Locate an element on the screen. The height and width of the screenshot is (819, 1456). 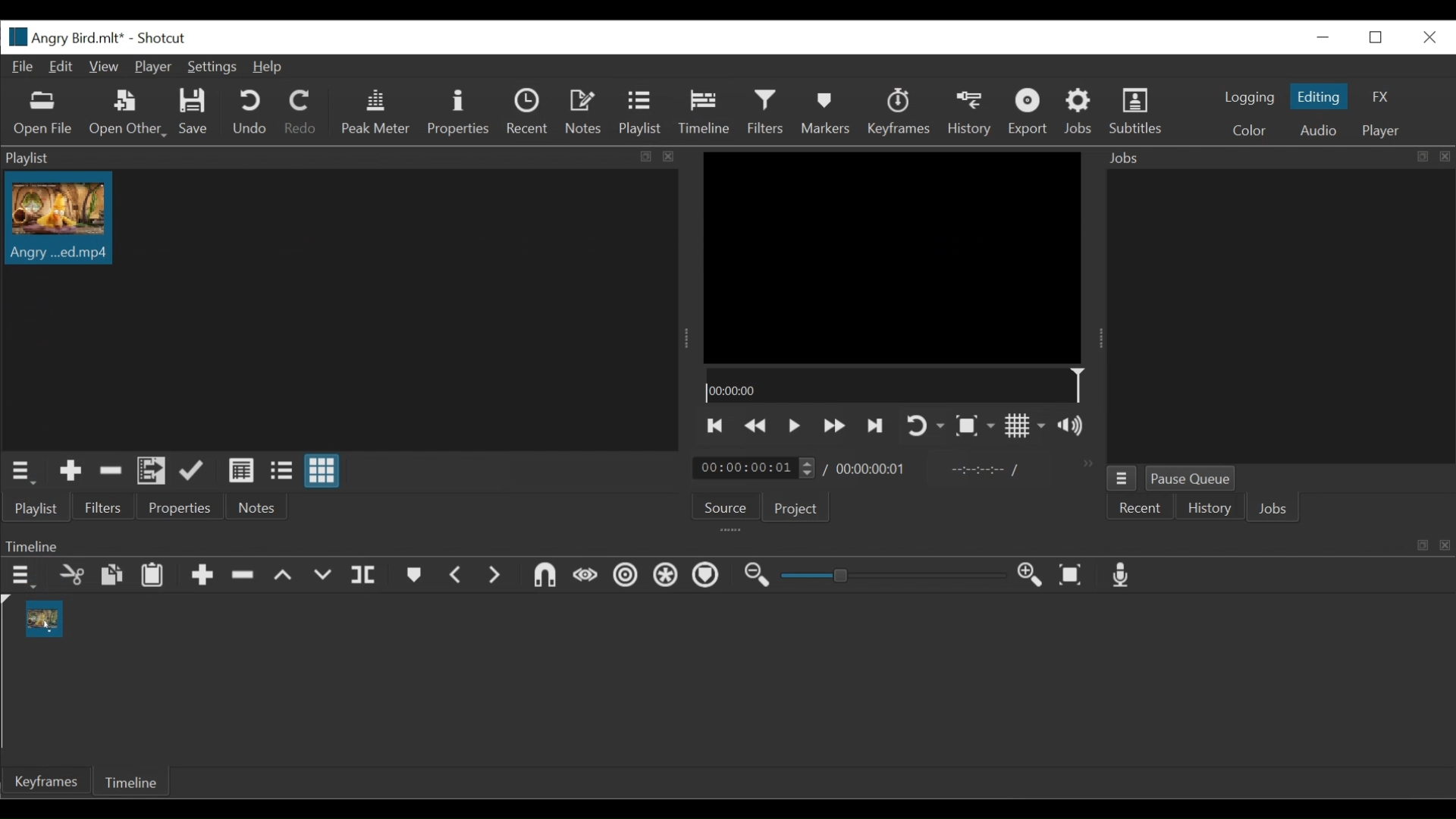
logging is located at coordinates (1247, 99).